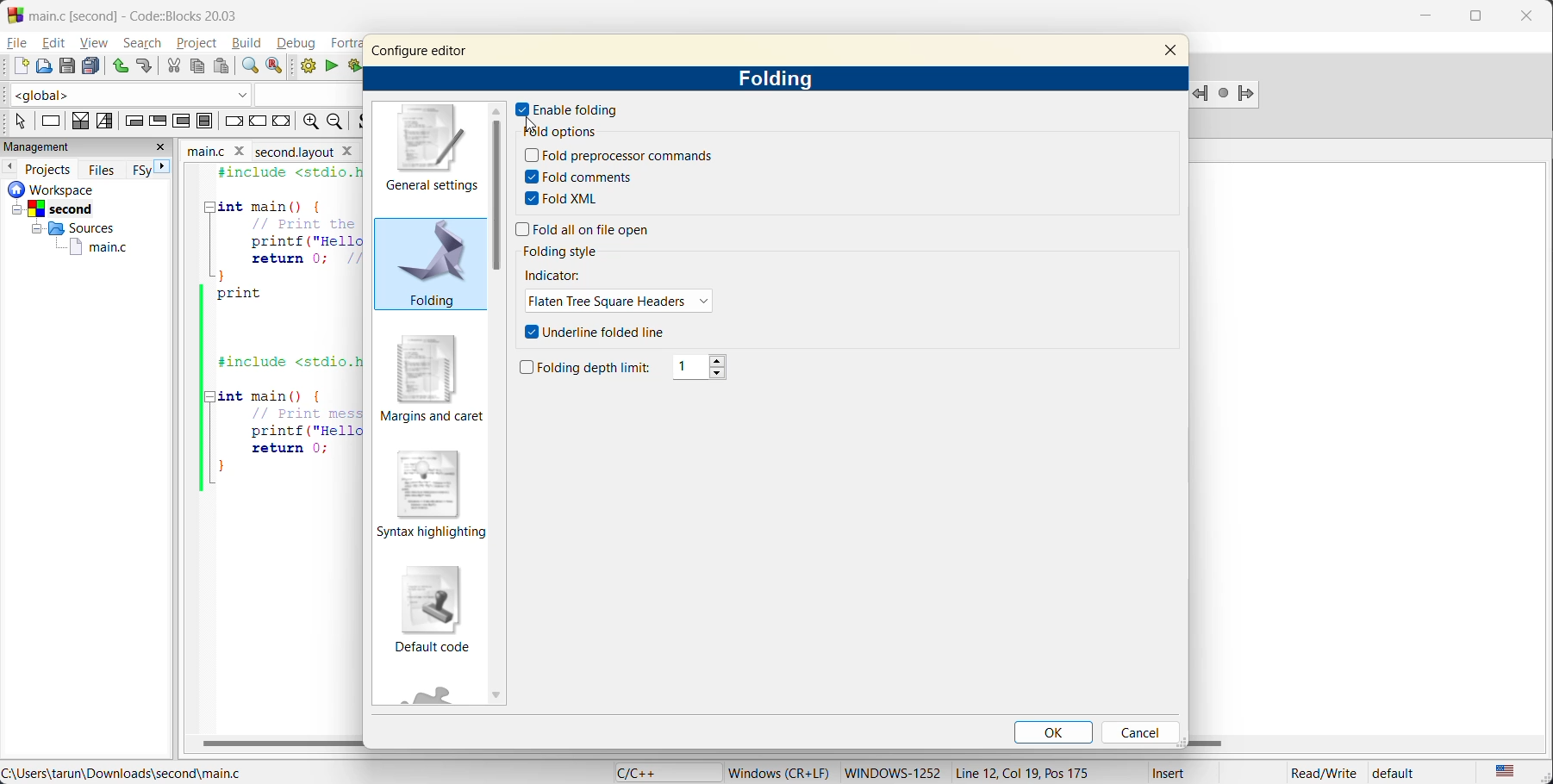  Describe the element at coordinates (658, 772) in the screenshot. I see `language` at that location.